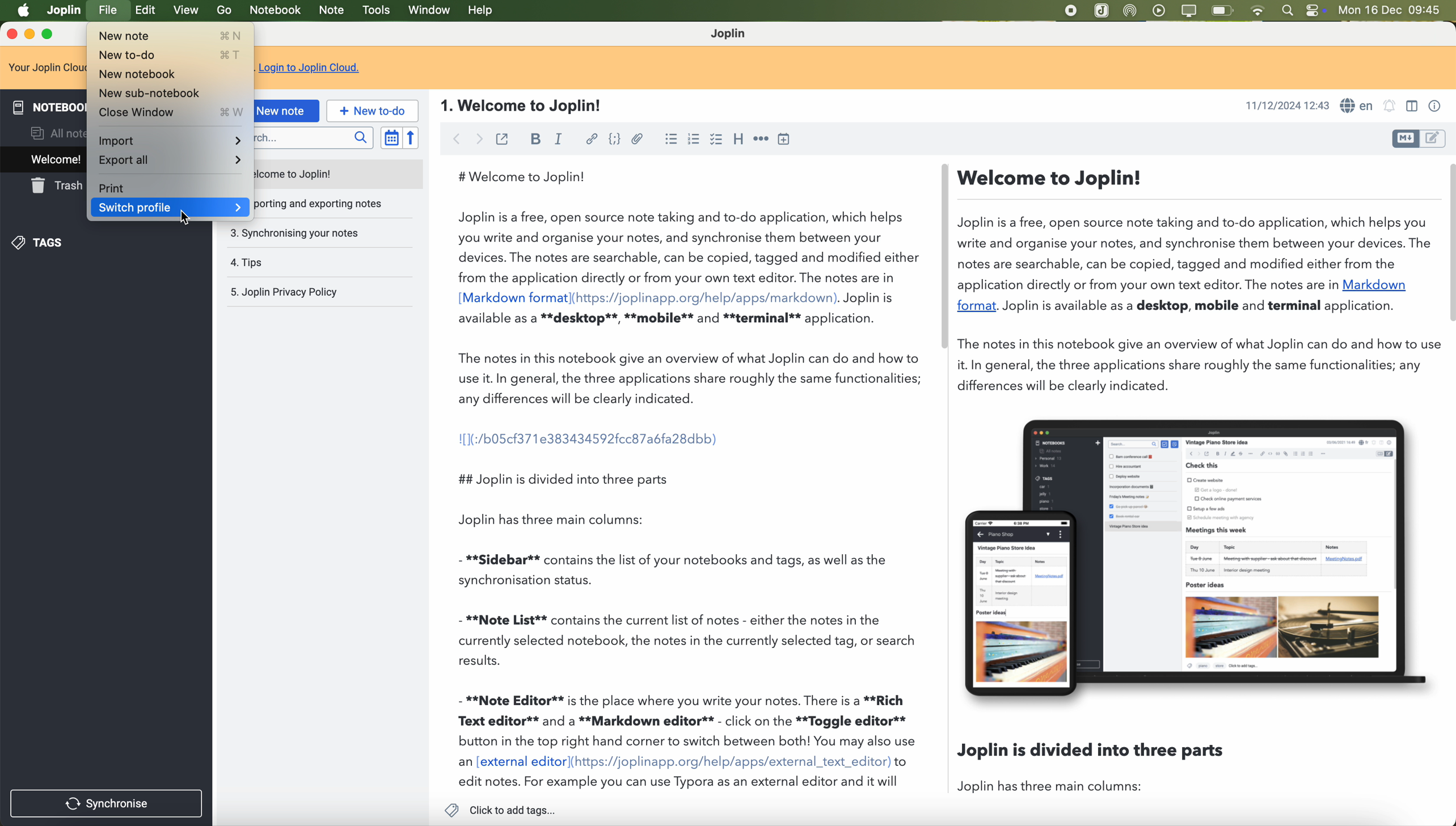 The width and height of the screenshot is (1456, 826). I want to click on an [external editor], so click(513, 762).